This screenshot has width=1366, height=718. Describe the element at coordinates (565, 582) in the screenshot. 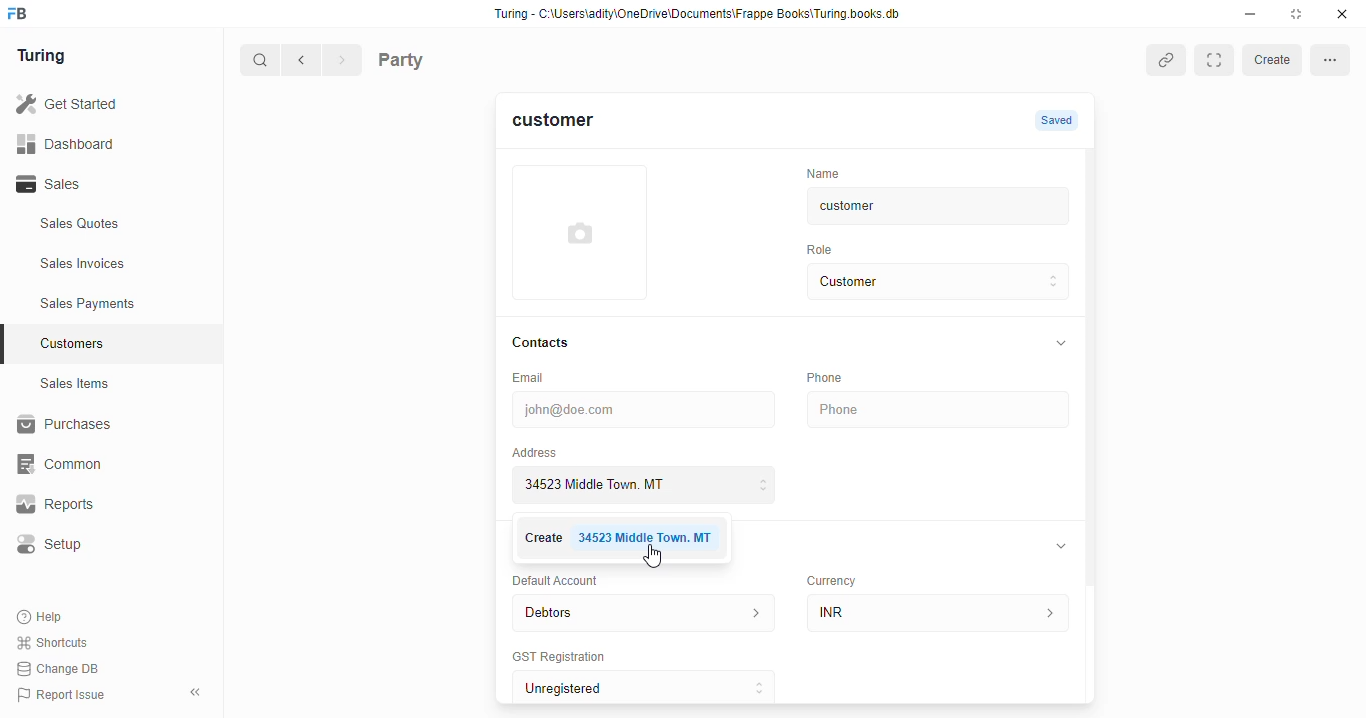

I see `Default Account` at that location.